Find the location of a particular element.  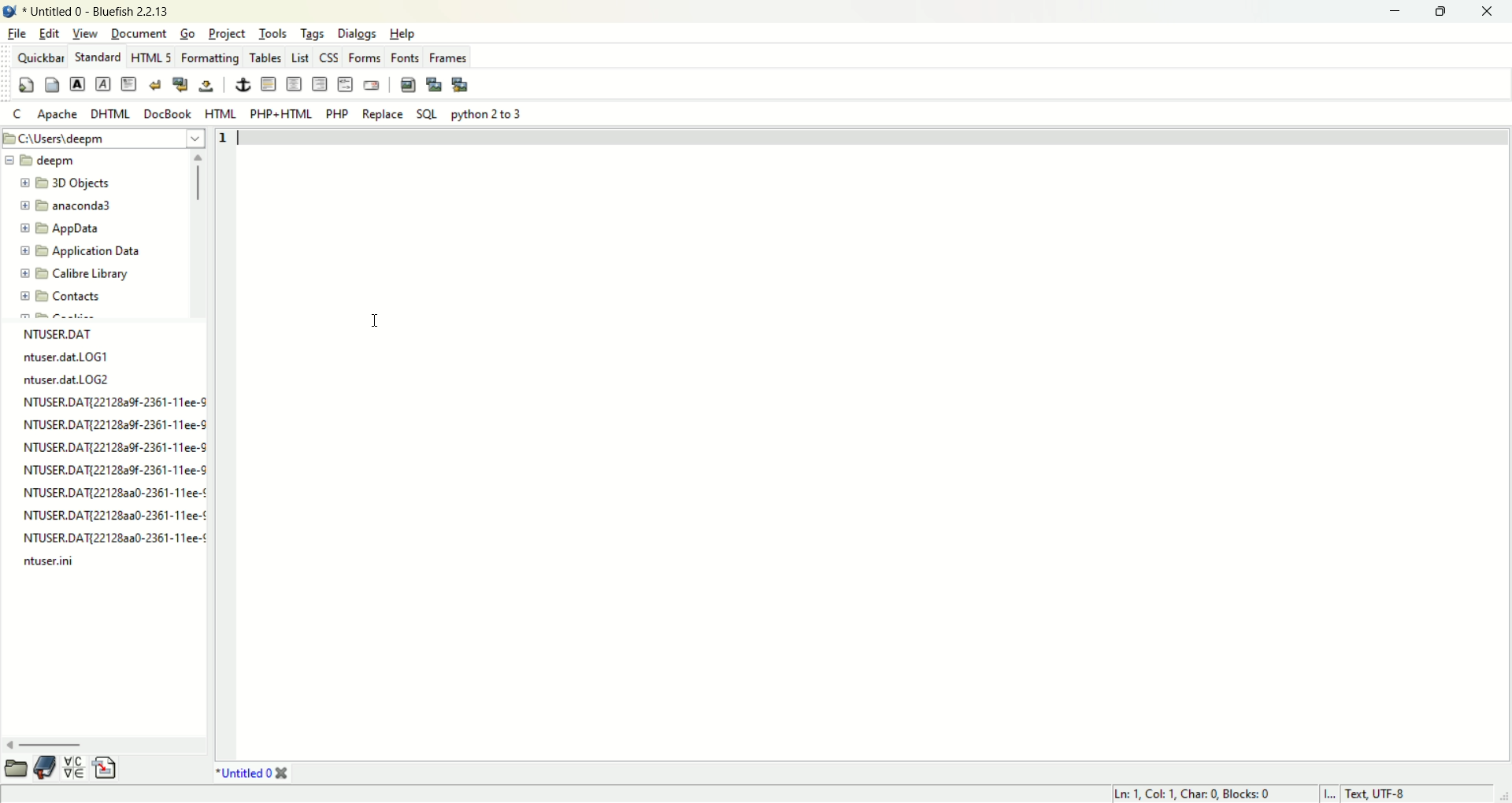

DocBook is located at coordinates (169, 115).